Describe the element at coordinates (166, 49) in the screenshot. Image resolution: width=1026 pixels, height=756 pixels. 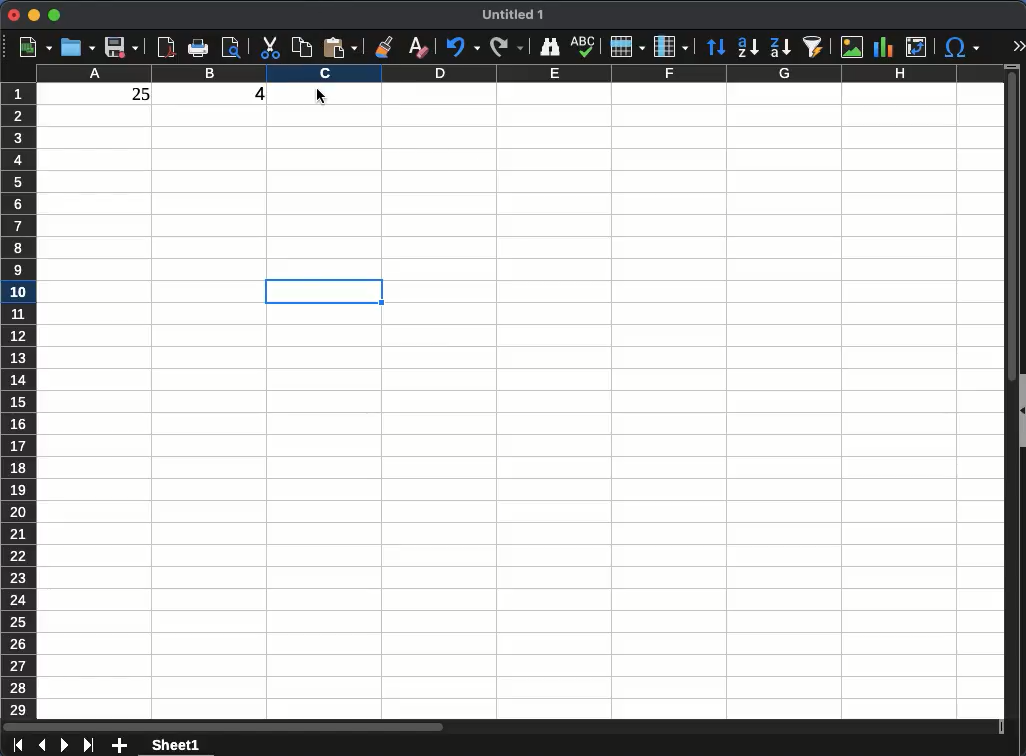
I see `pdf preview` at that location.